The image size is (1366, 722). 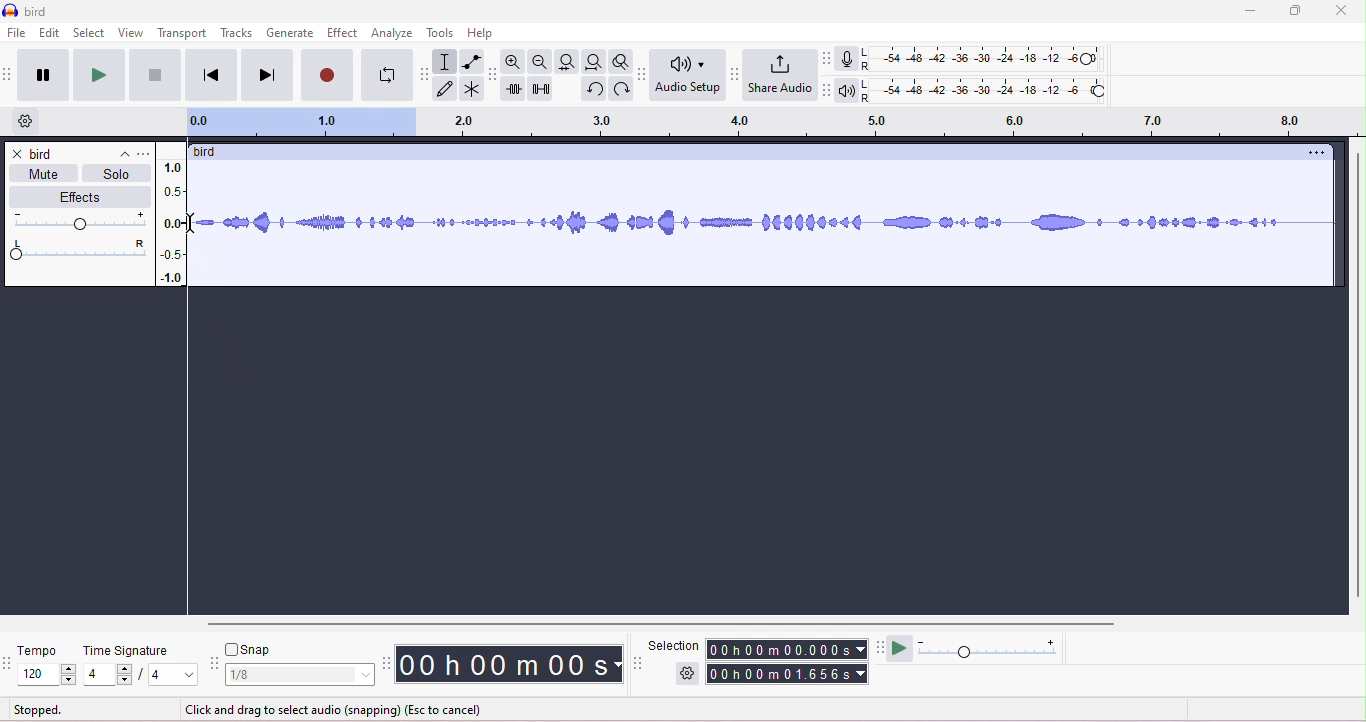 I want to click on stopped, so click(x=38, y=711).